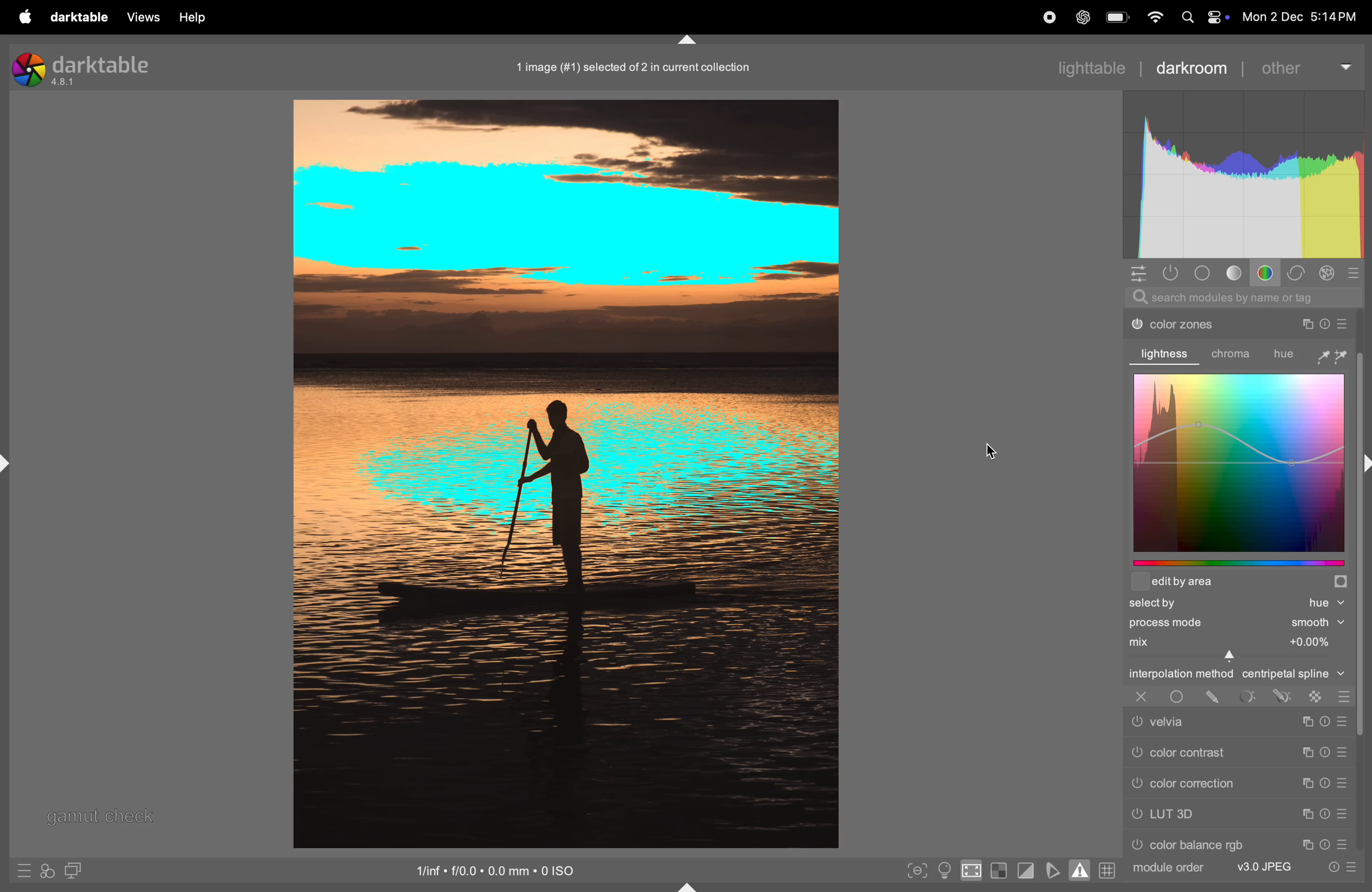 The width and height of the screenshot is (1372, 892). Describe the element at coordinates (1197, 69) in the screenshot. I see `darkroom` at that location.